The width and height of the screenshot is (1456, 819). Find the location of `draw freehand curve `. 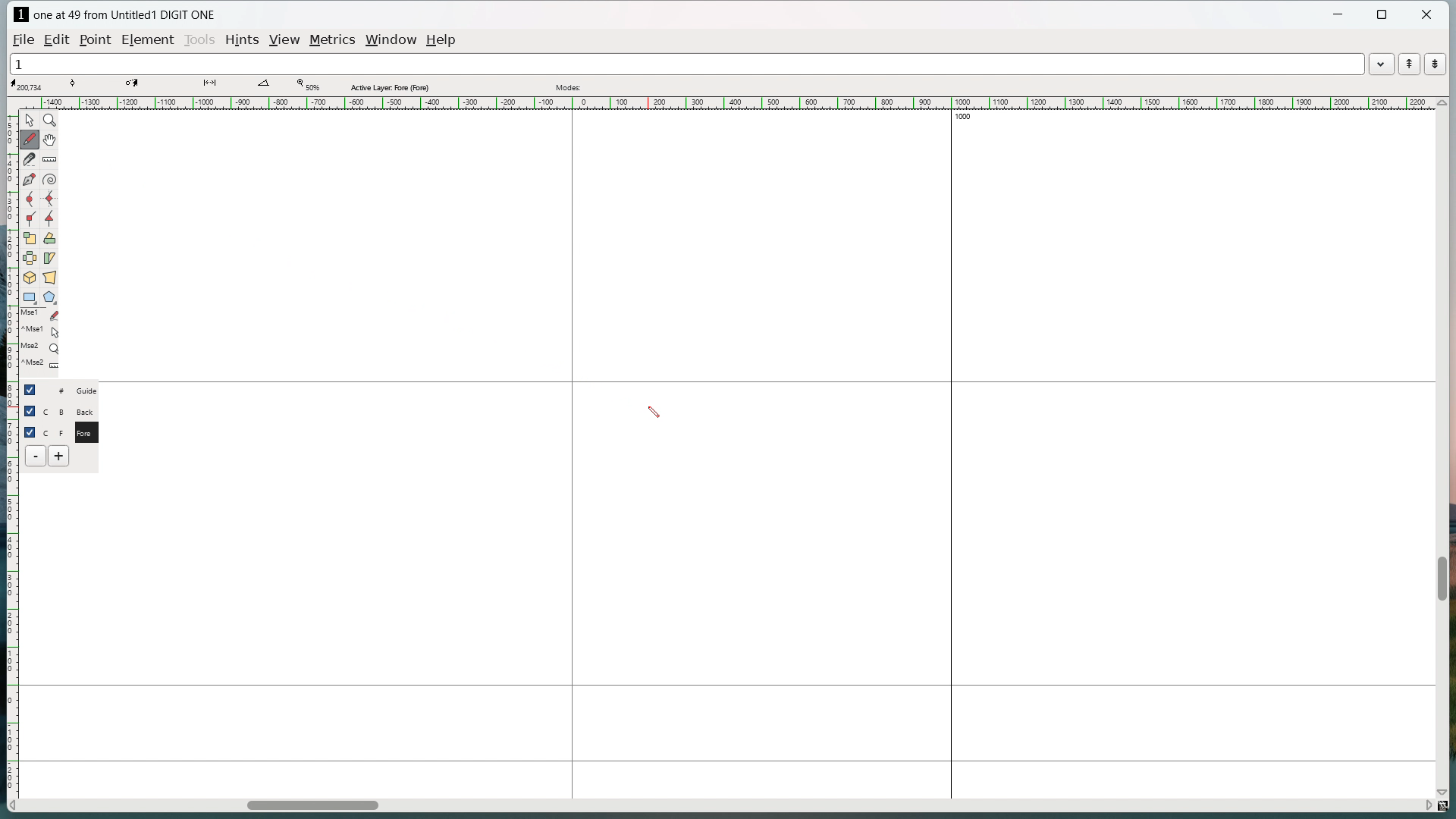

draw freehand curve  is located at coordinates (31, 139).